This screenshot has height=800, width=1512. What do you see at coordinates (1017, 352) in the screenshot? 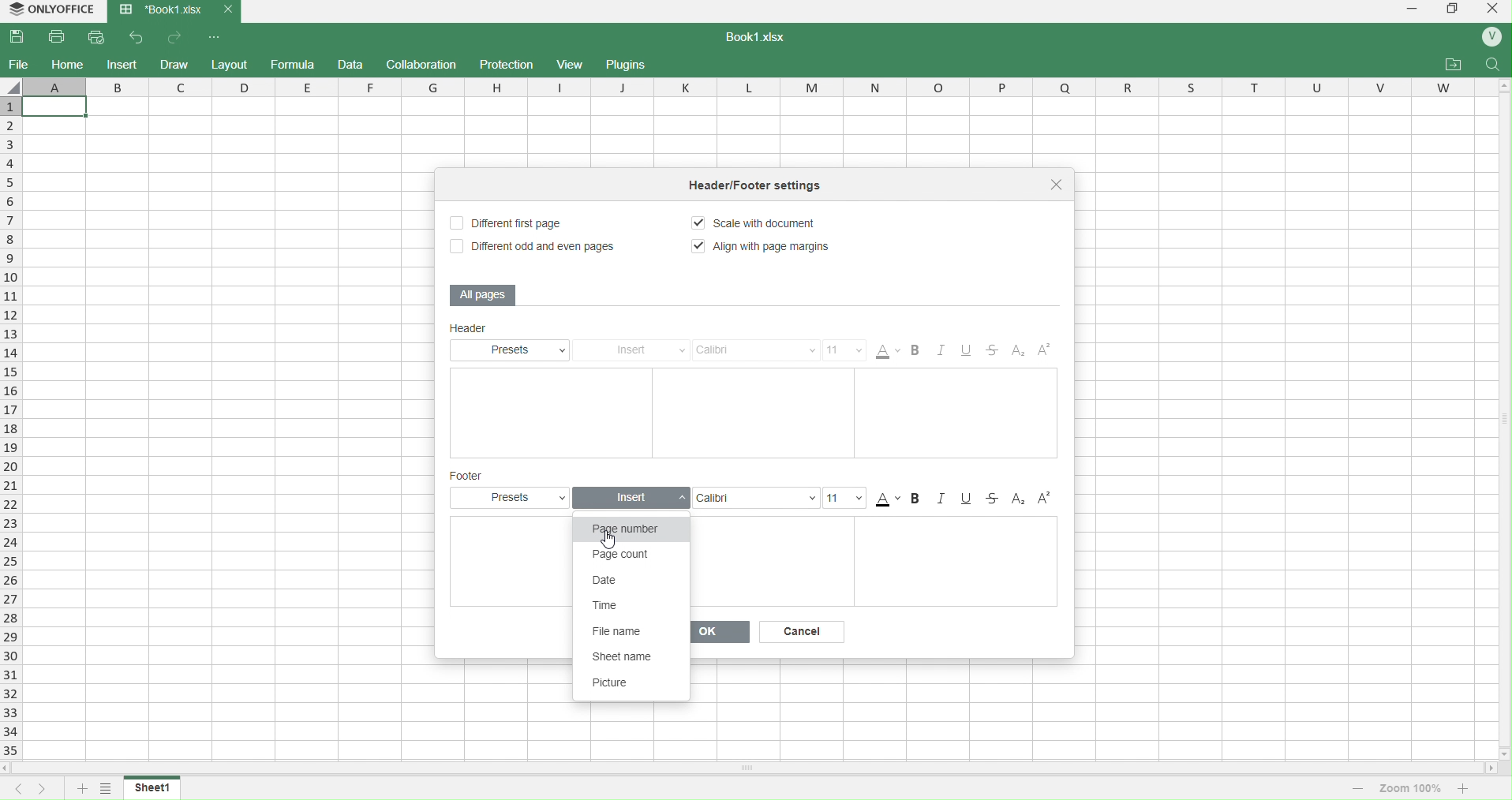
I see `Subscript` at bounding box center [1017, 352].